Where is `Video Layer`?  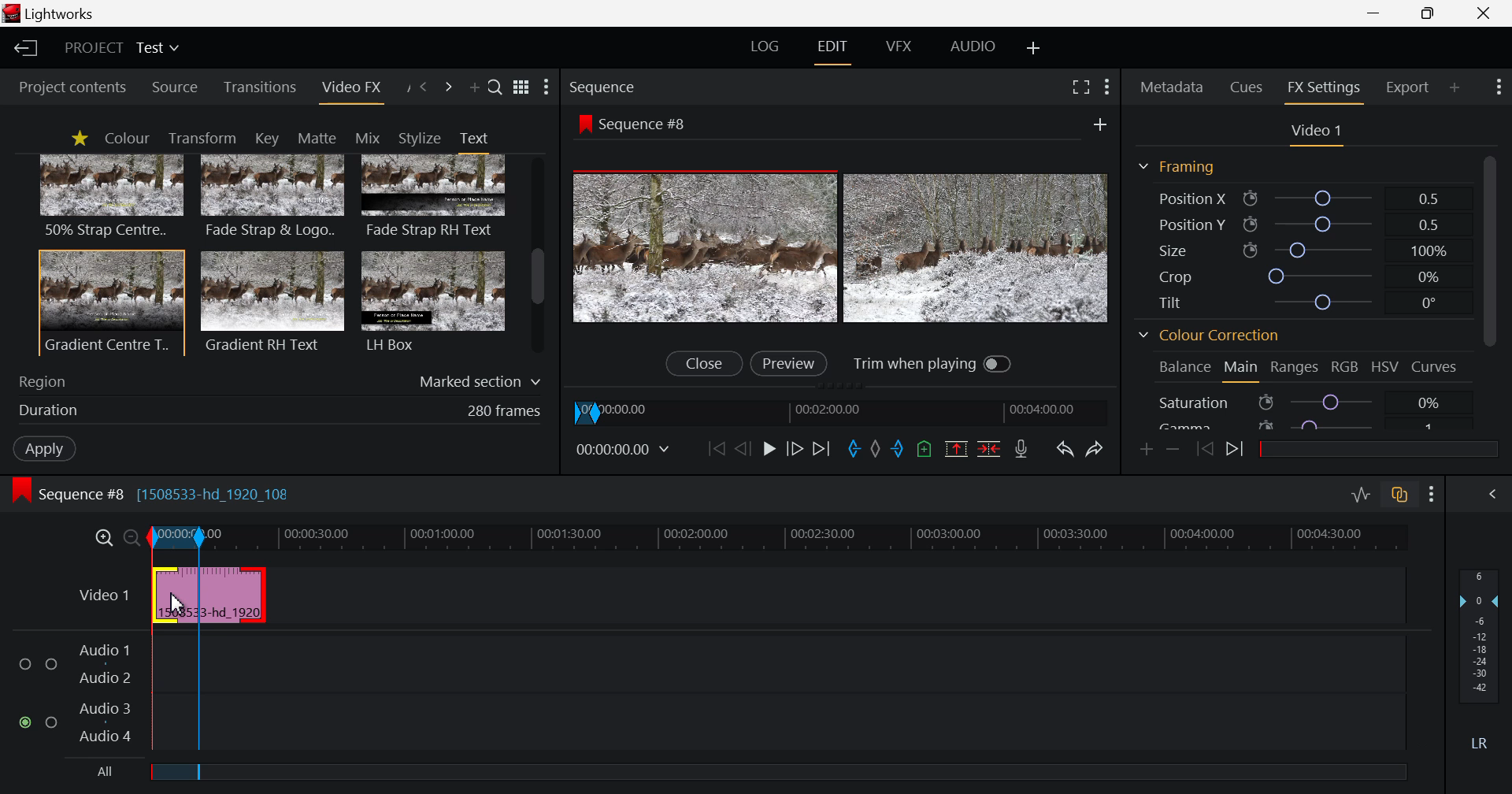 Video Layer is located at coordinates (102, 592).